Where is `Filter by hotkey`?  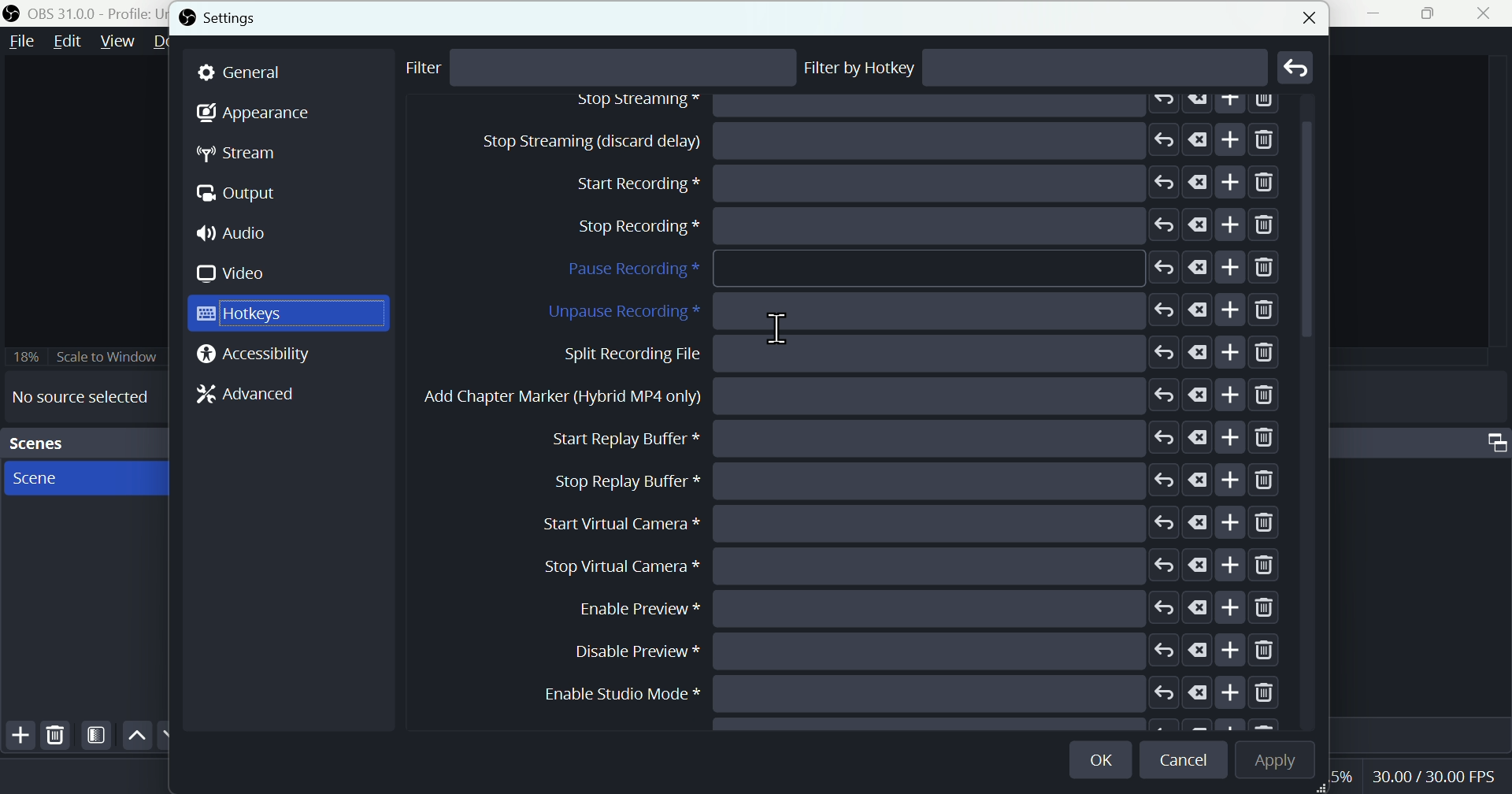 Filter by hotkey is located at coordinates (861, 68).